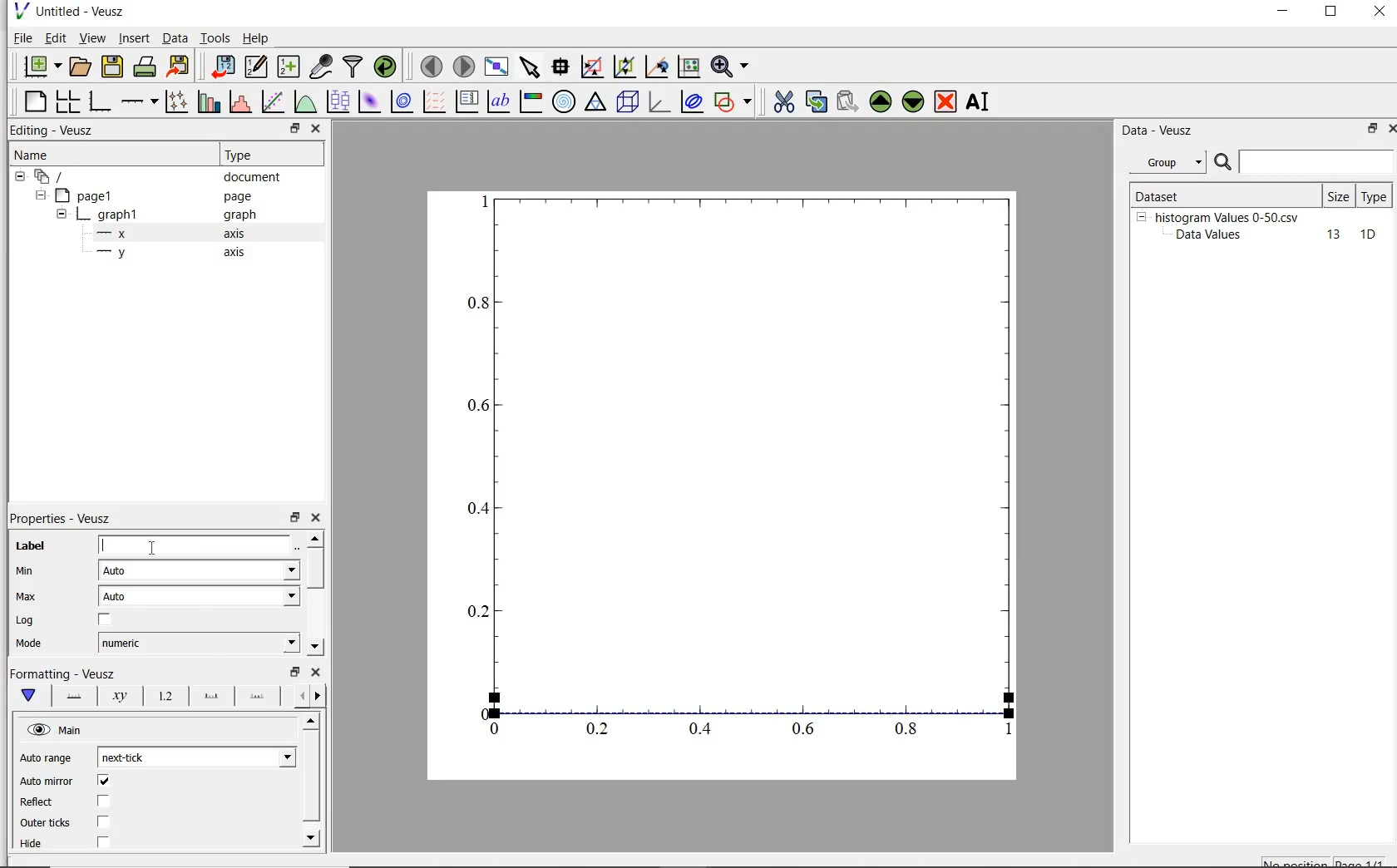 This screenshot has height=868, width=1397. I want to click on tick label, so click(164, 697).